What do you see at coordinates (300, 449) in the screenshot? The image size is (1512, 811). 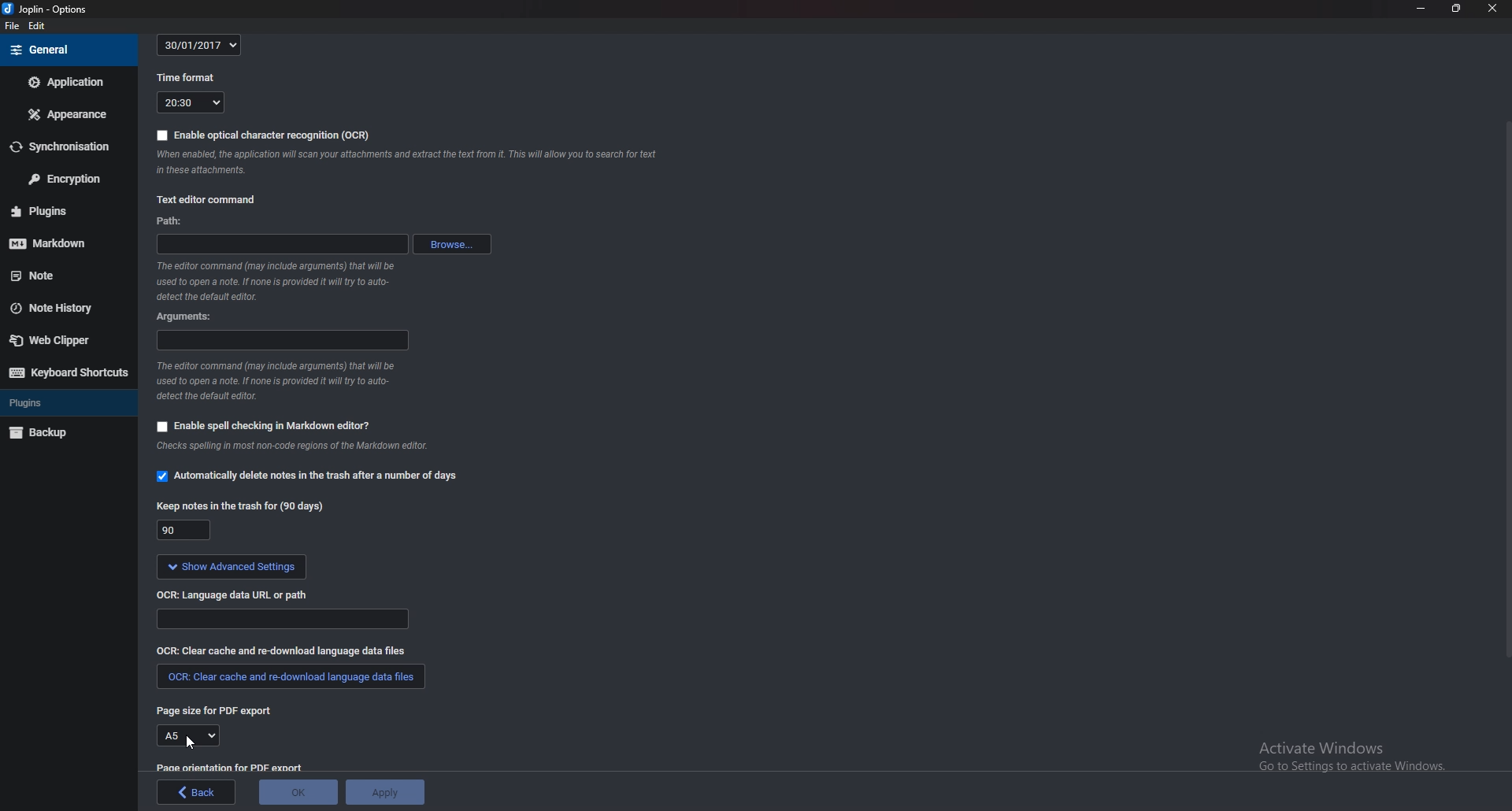 I see `Info on spell checking` at bounding box center [300, 449].